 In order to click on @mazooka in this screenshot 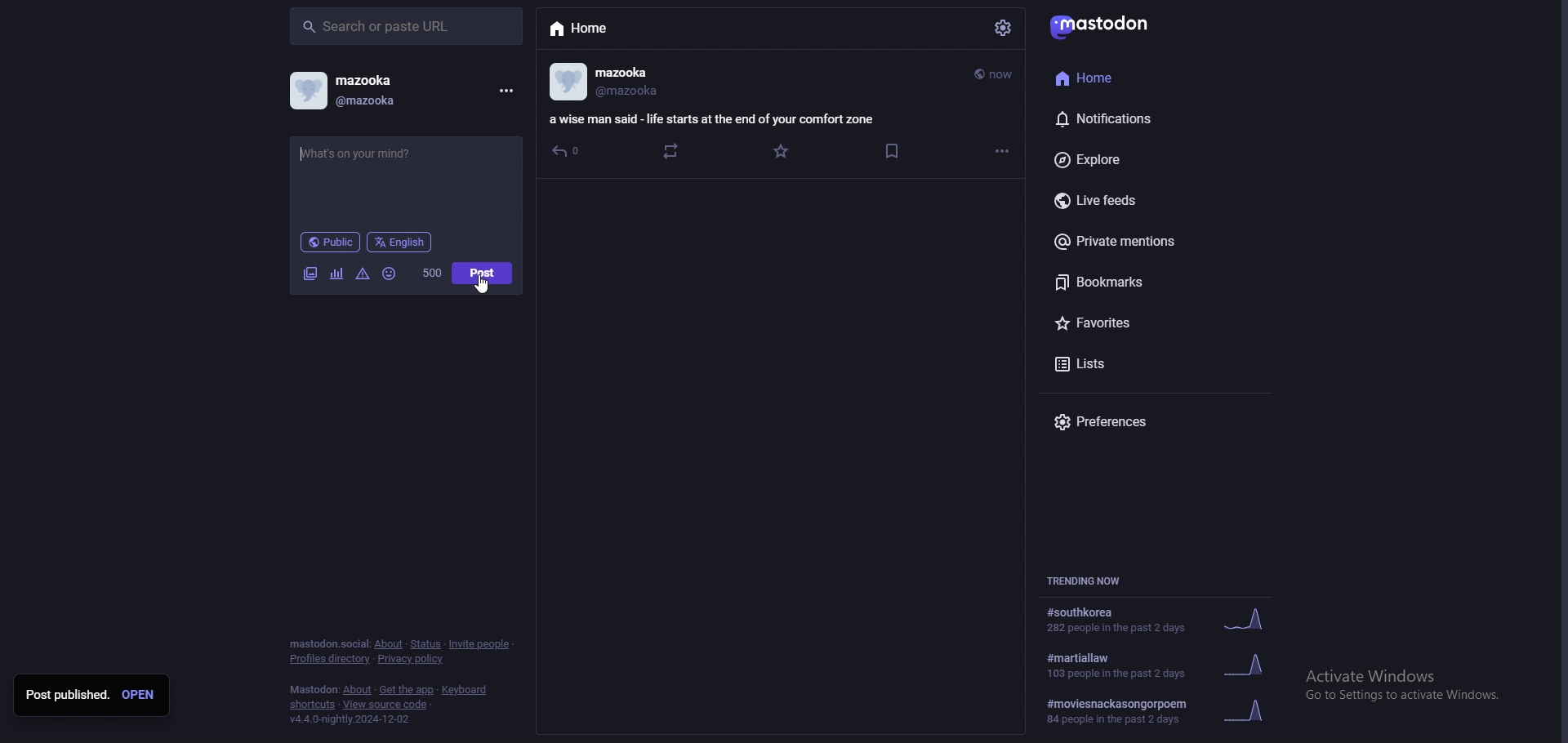, I will do `click(379, 100)`.